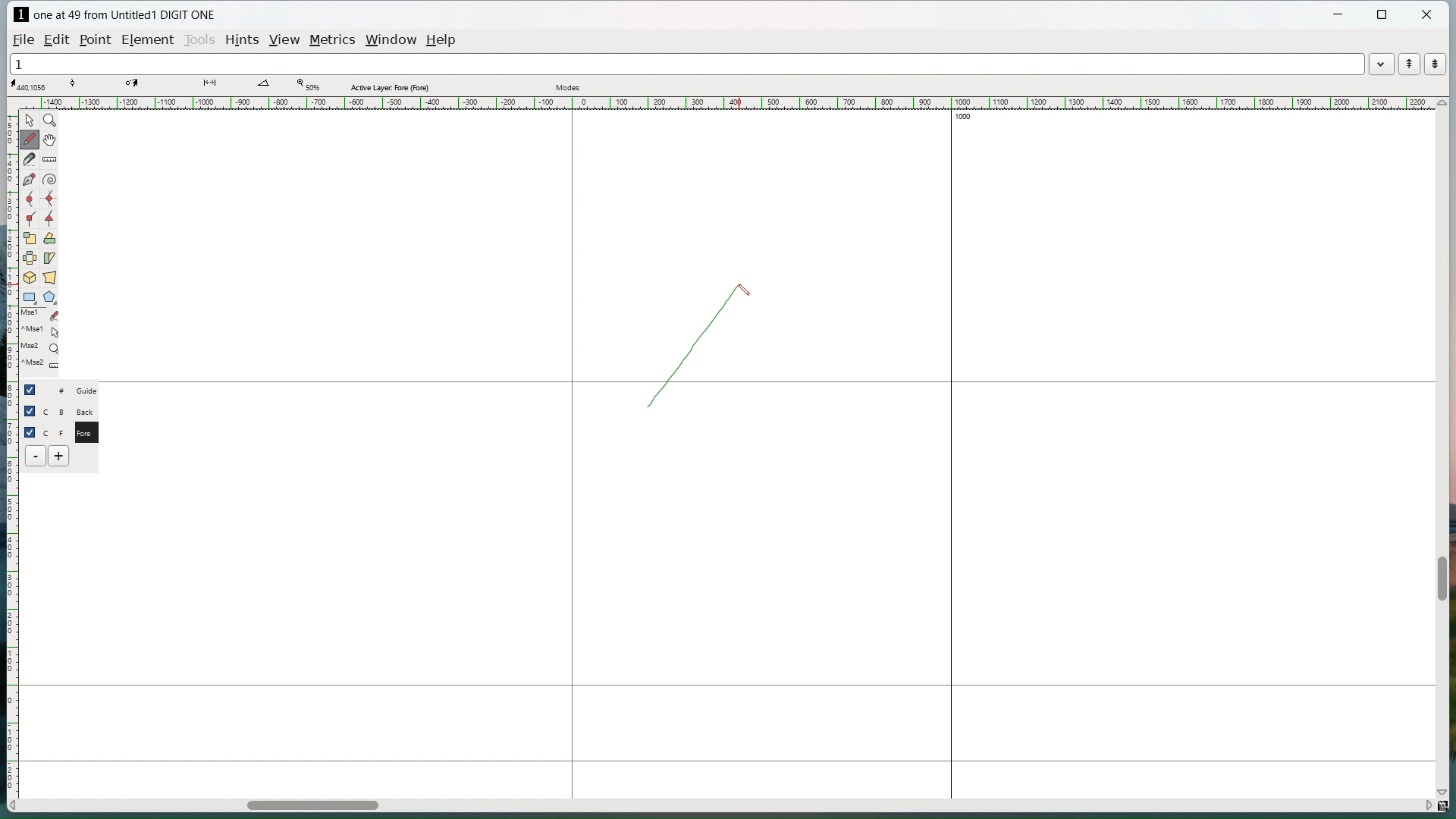 Image resolution: width=1456 pixels, height=819 pixels. What do you see at coordinates (307, 85) in the screenshot?
I see `Zoom level ` at bounding box center [307, 85].